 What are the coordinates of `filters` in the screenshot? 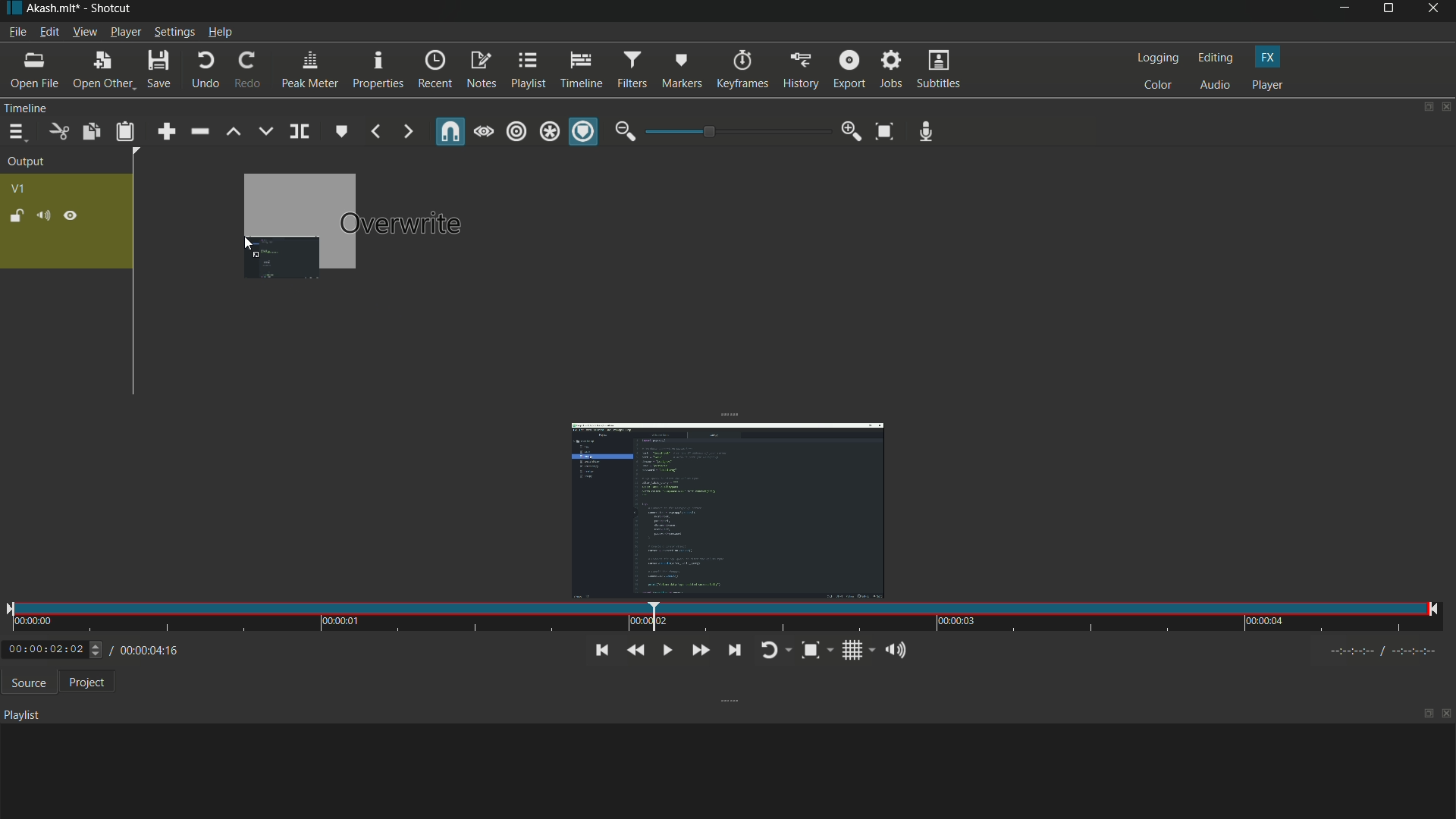 It's located at (632, 69).